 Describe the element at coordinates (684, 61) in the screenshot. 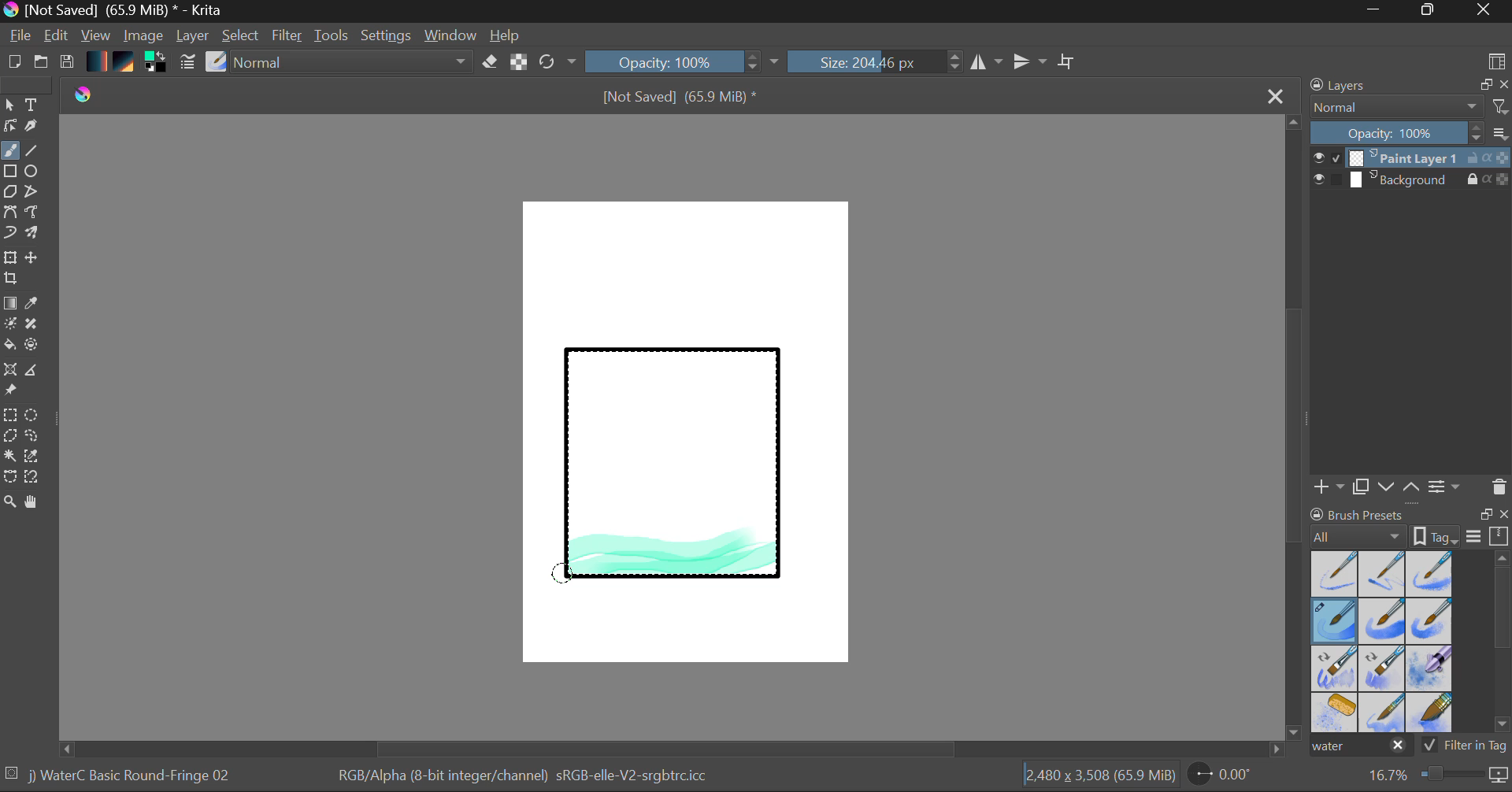

I see `Opacity` at that location.